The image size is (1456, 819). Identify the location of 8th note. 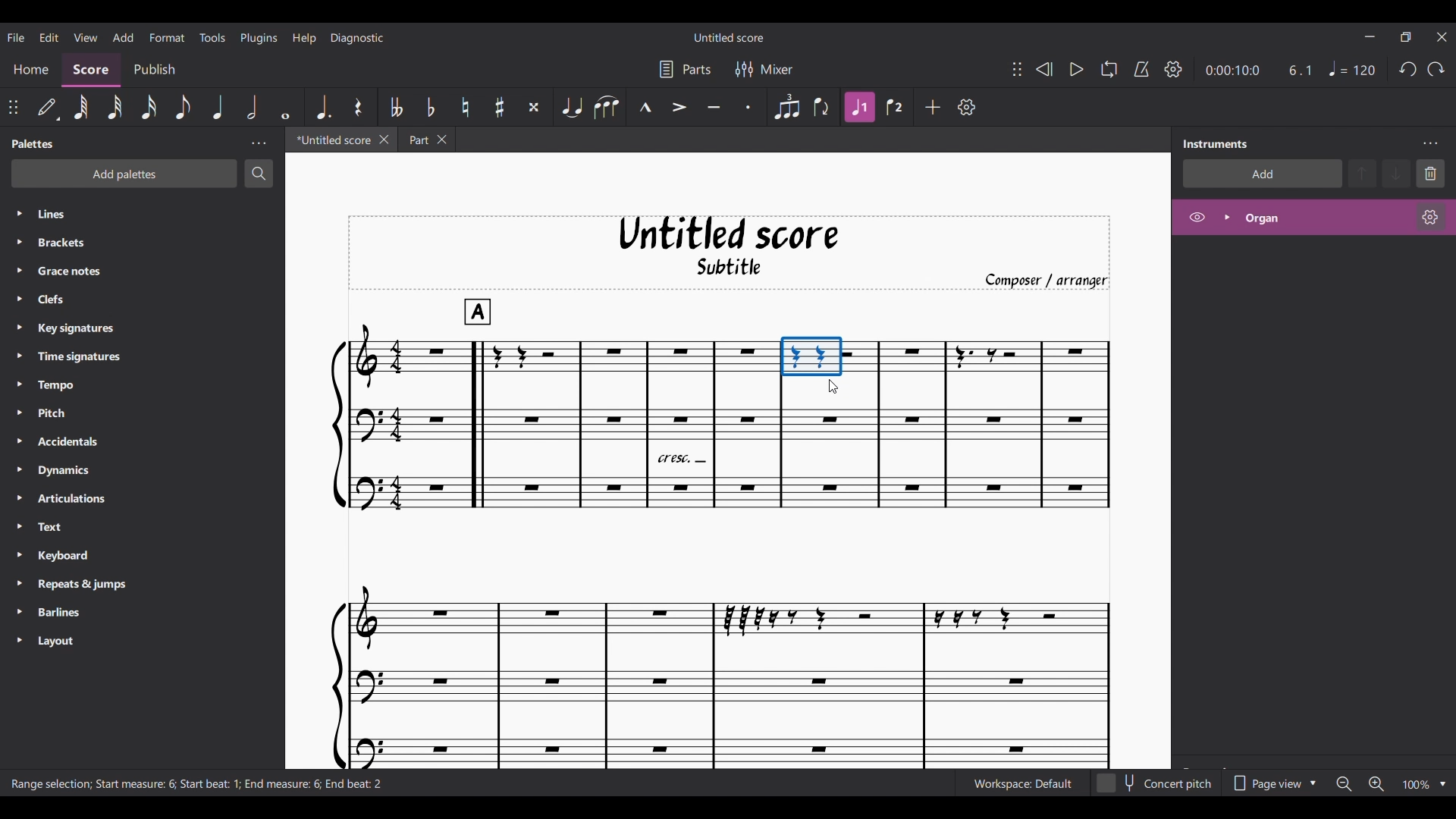
(184, 108).